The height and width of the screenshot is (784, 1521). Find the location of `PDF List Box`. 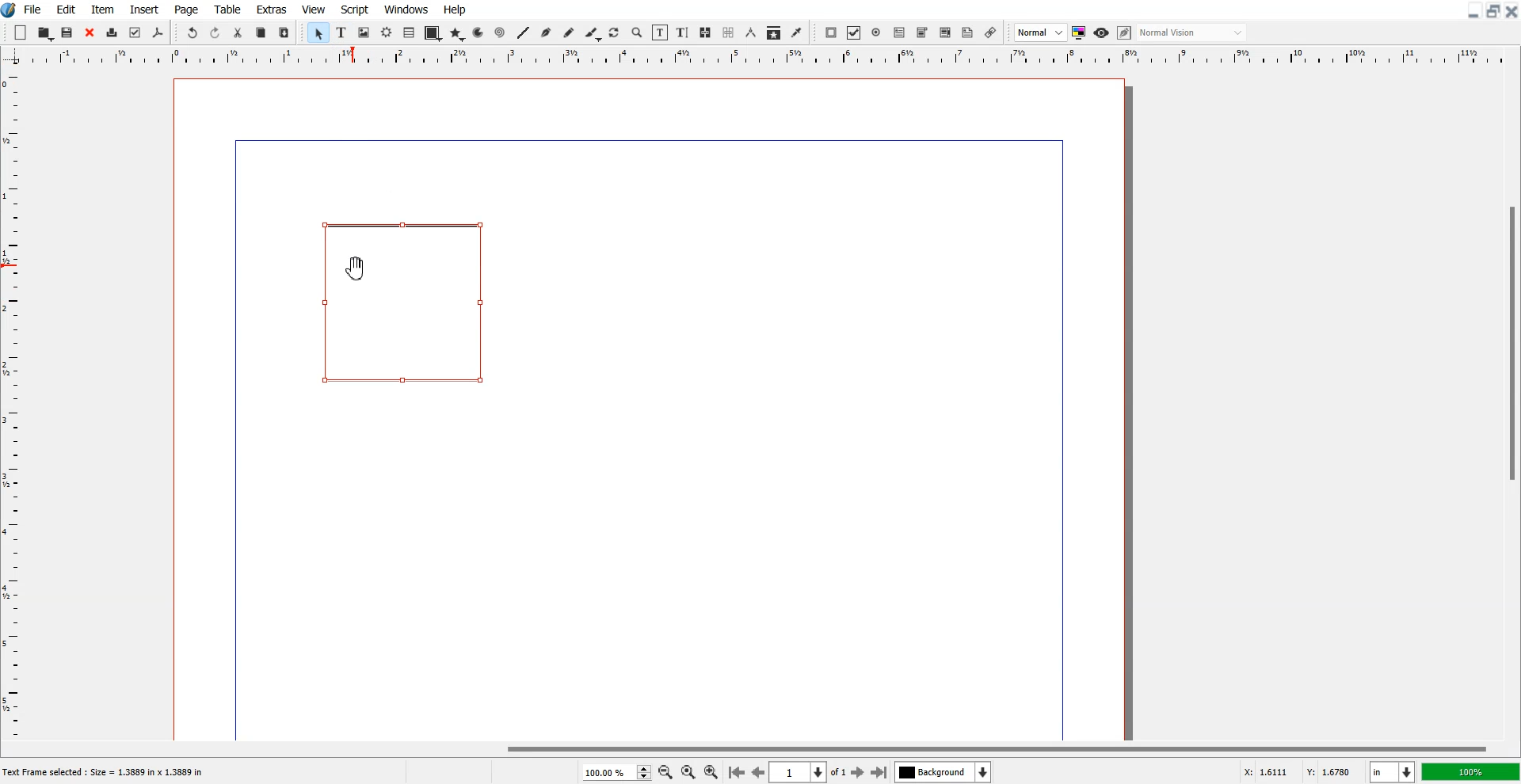

PDF List Box is located at coordinates (945, 33).